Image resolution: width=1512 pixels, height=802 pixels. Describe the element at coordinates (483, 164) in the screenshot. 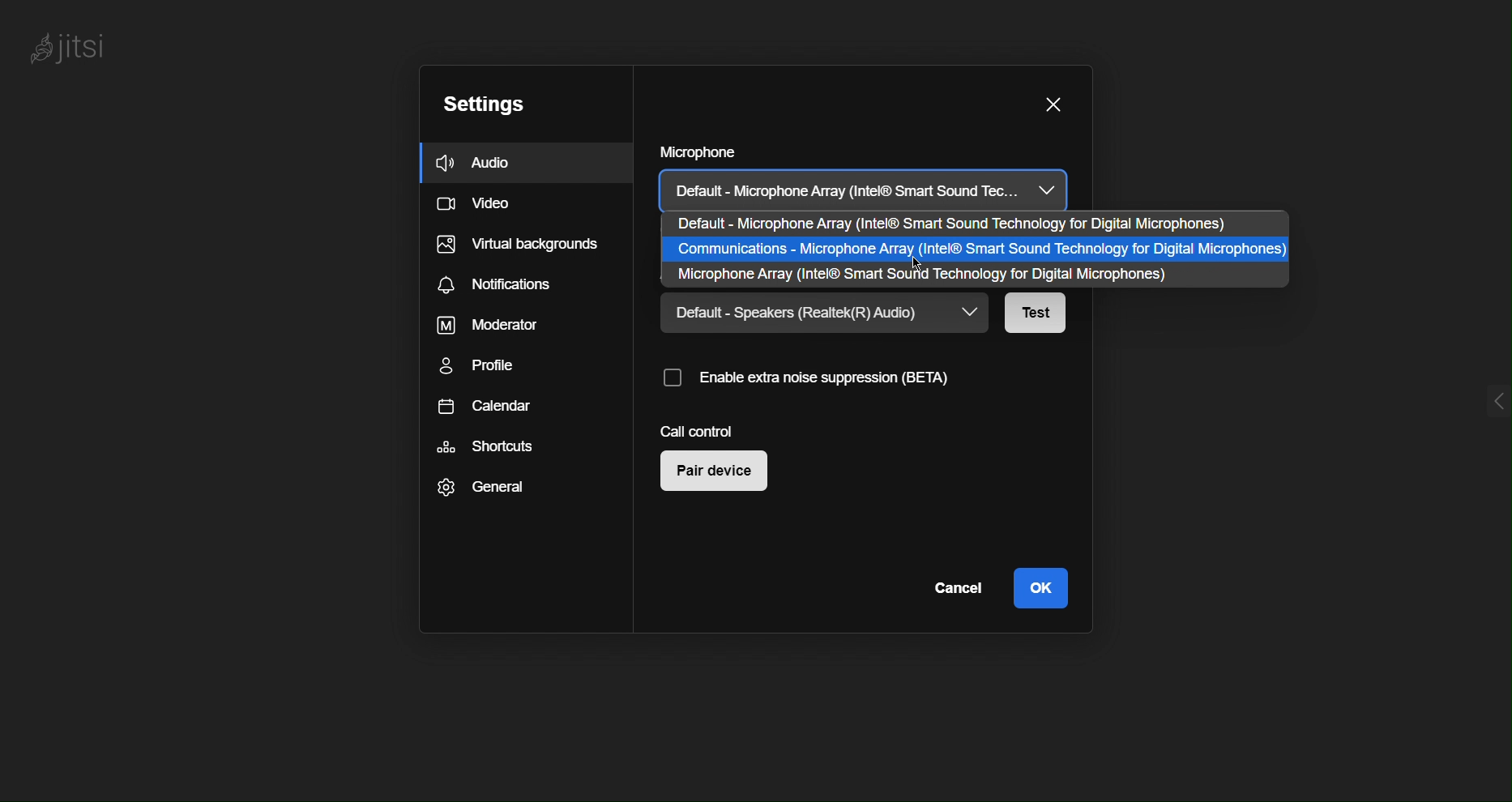

I see `Audio` at that location.